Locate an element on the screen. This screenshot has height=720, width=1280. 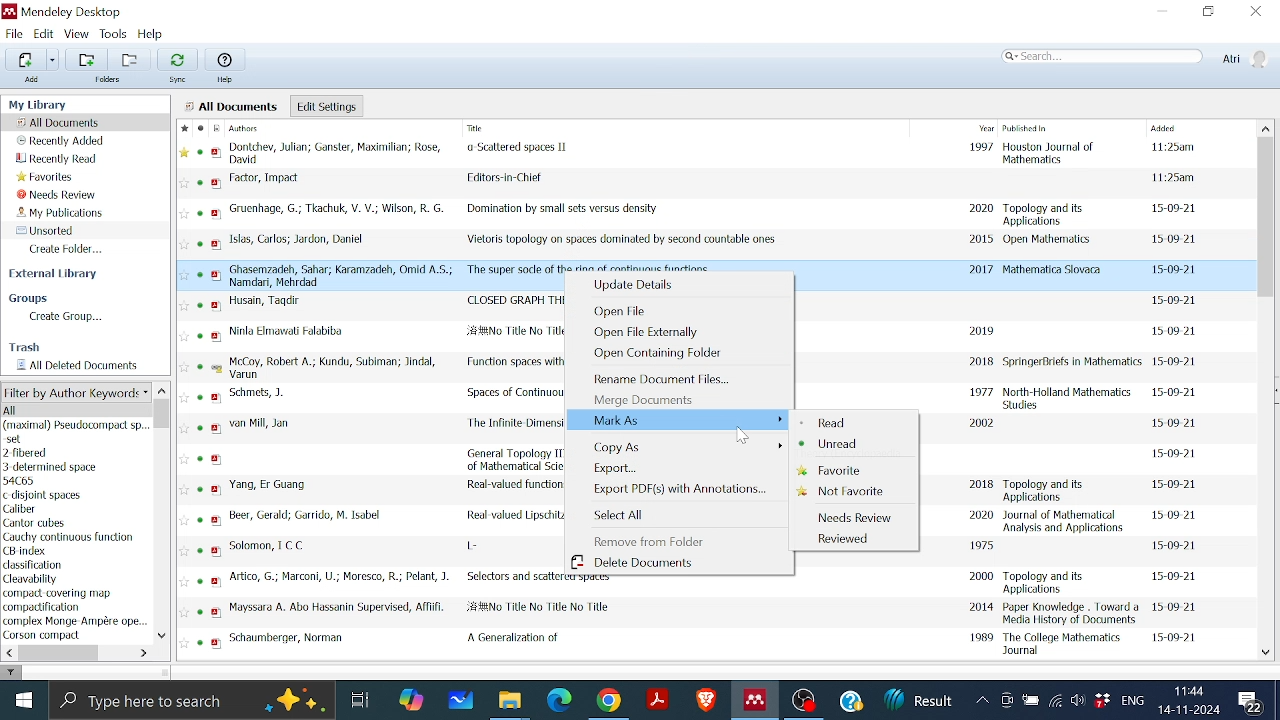
document is located at coordinates (1082, 490).